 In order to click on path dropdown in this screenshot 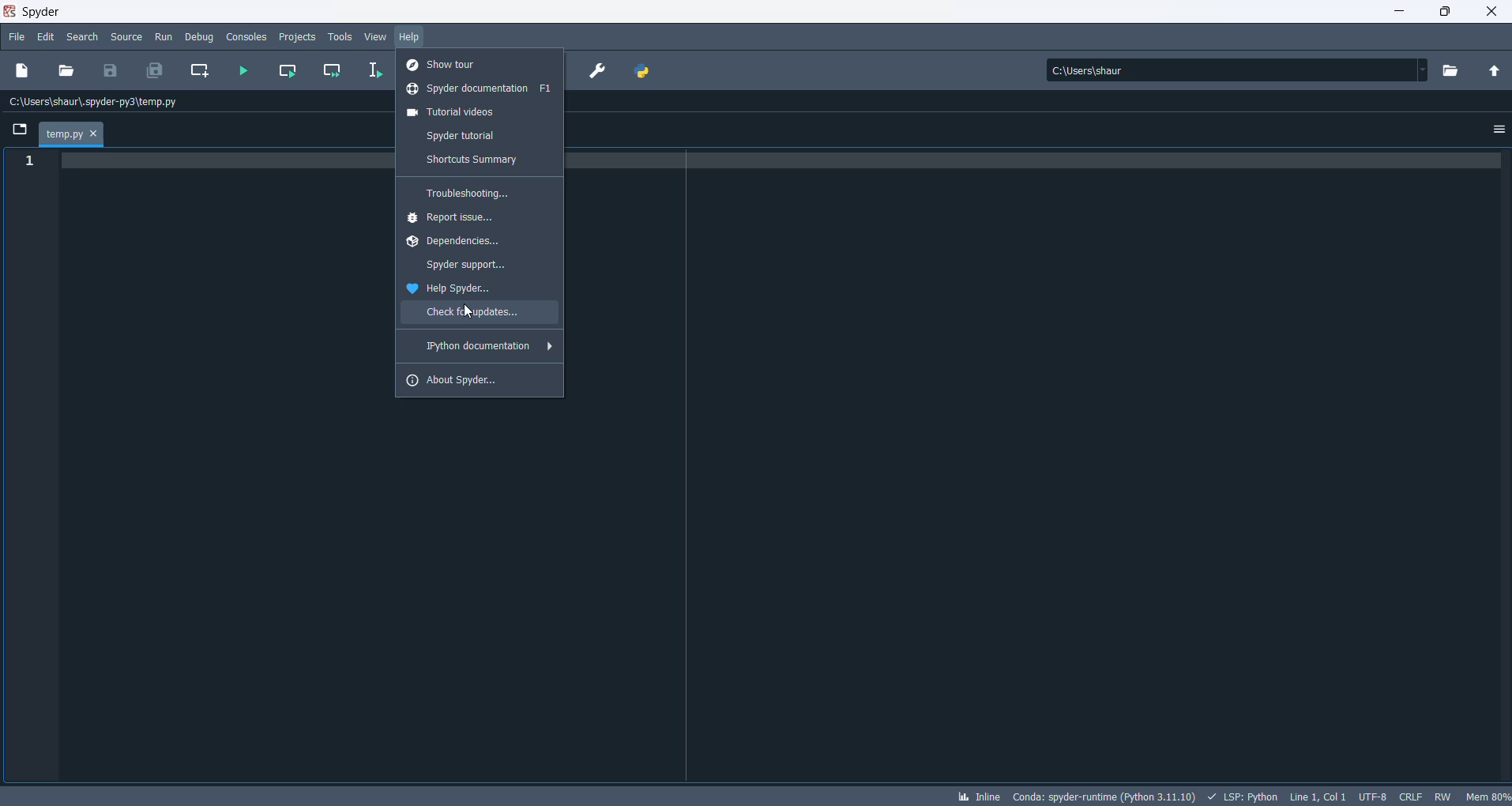, I will do `click(1429, 70)`.